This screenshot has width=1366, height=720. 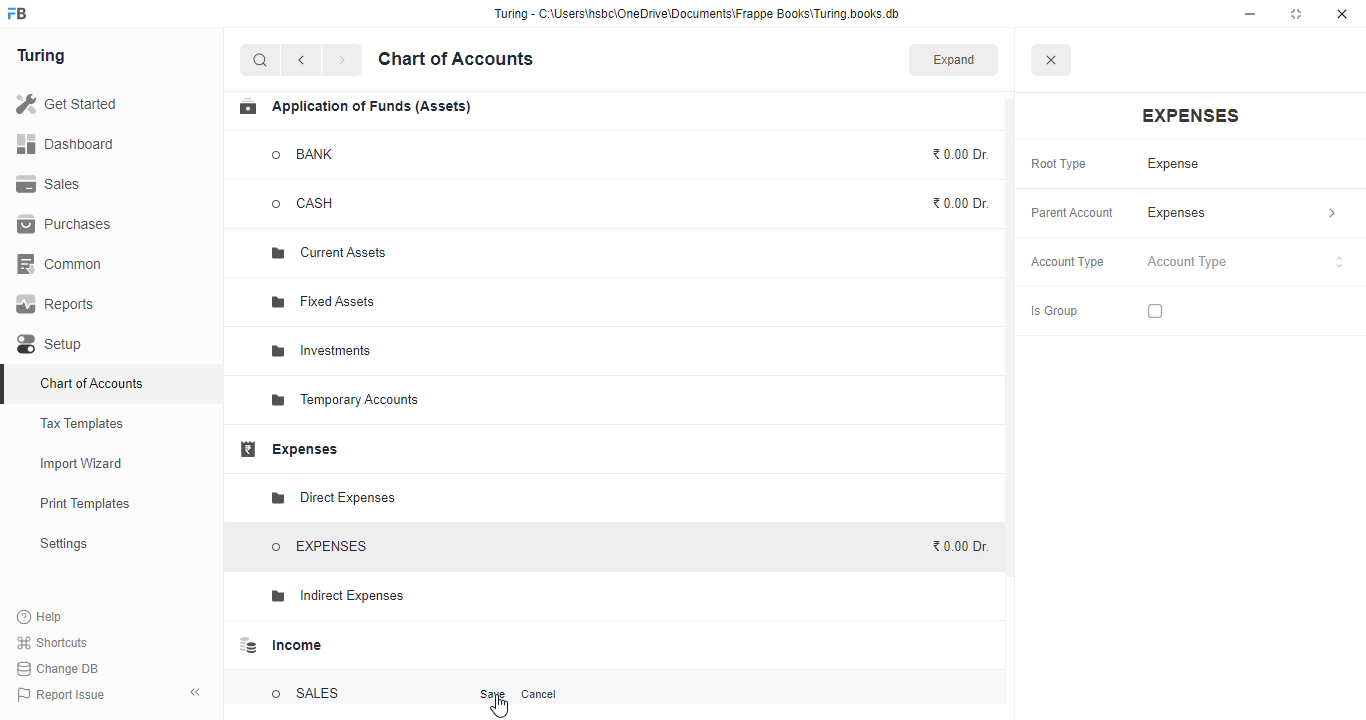 I want to click on maximize, so click(x=1296, y=14).